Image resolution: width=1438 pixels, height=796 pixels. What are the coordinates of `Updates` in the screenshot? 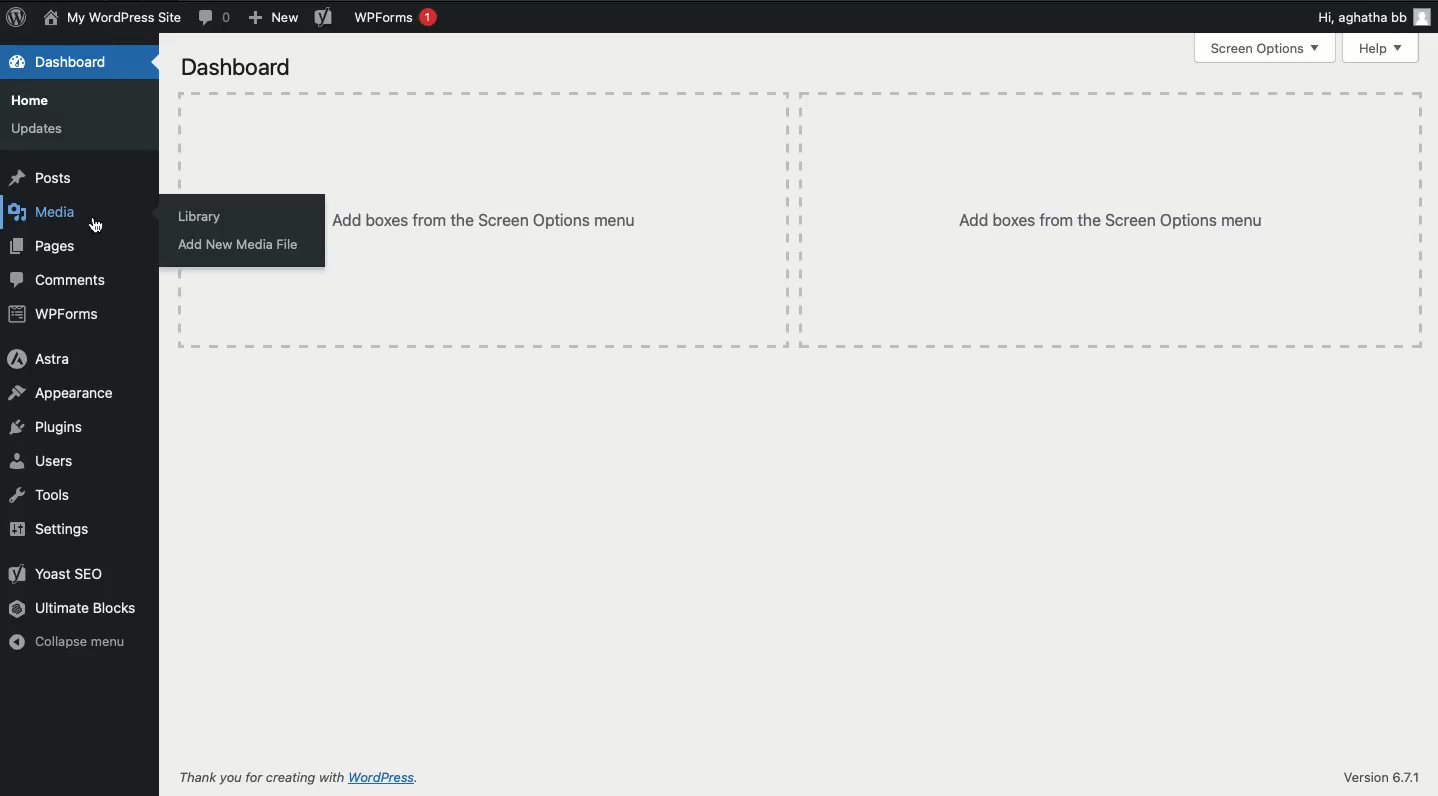 It's located at (39, 131).